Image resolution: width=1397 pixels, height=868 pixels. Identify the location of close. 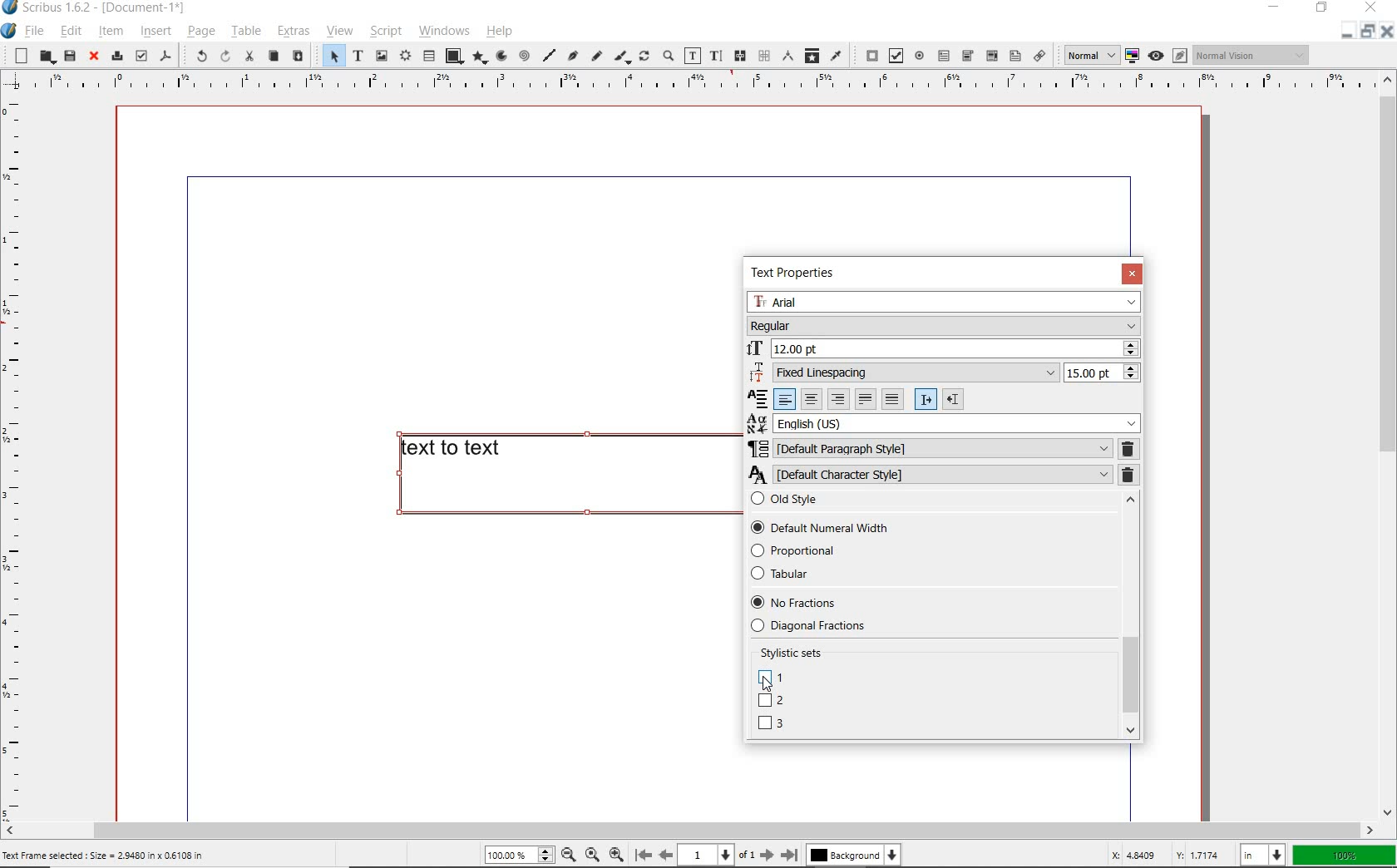
(91, 57).